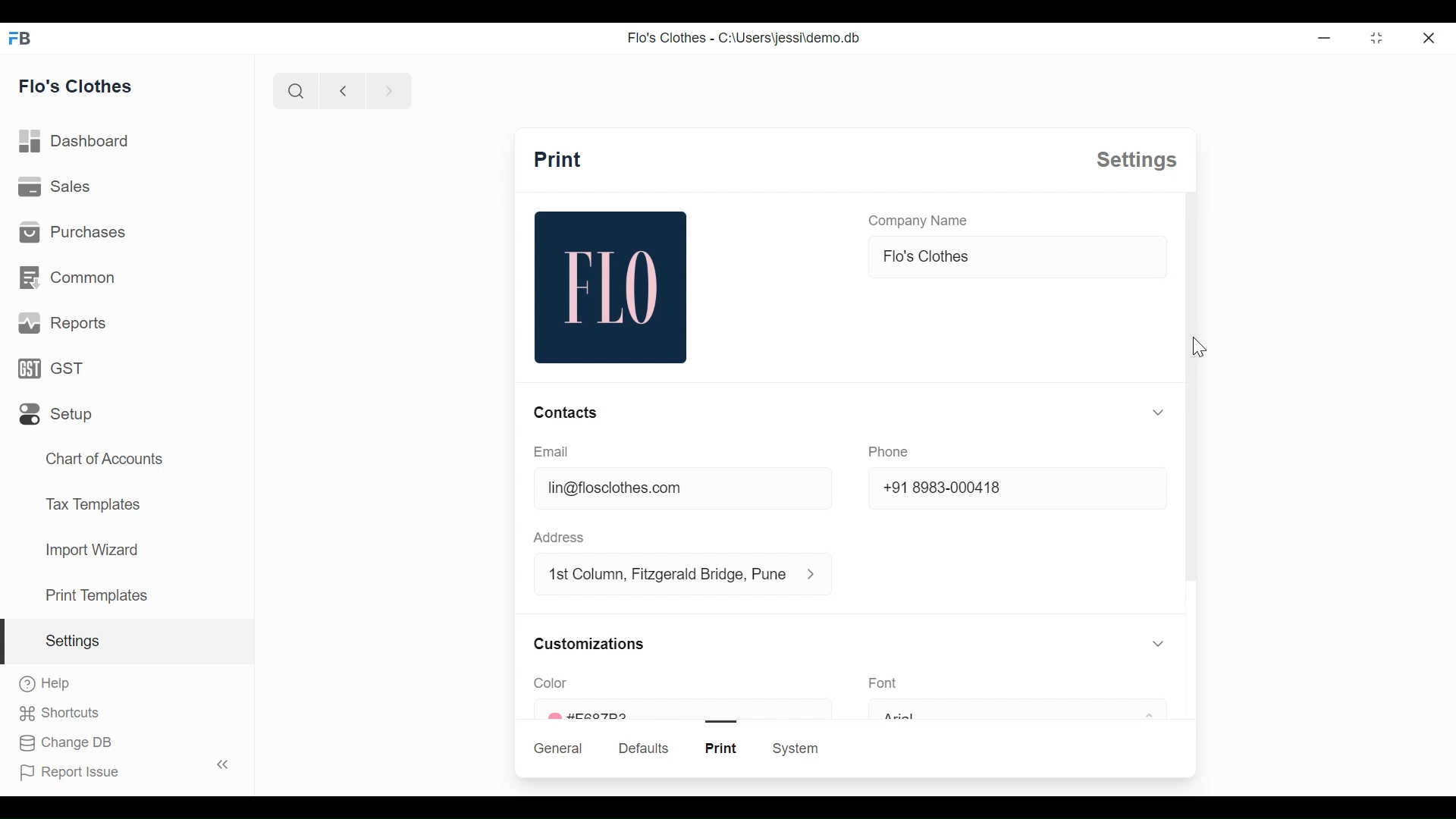 The height and width of the screenshot is (819, 1456). Describe the element at coordinates (889, 452) in the screenshot. I see `phone` at that location.